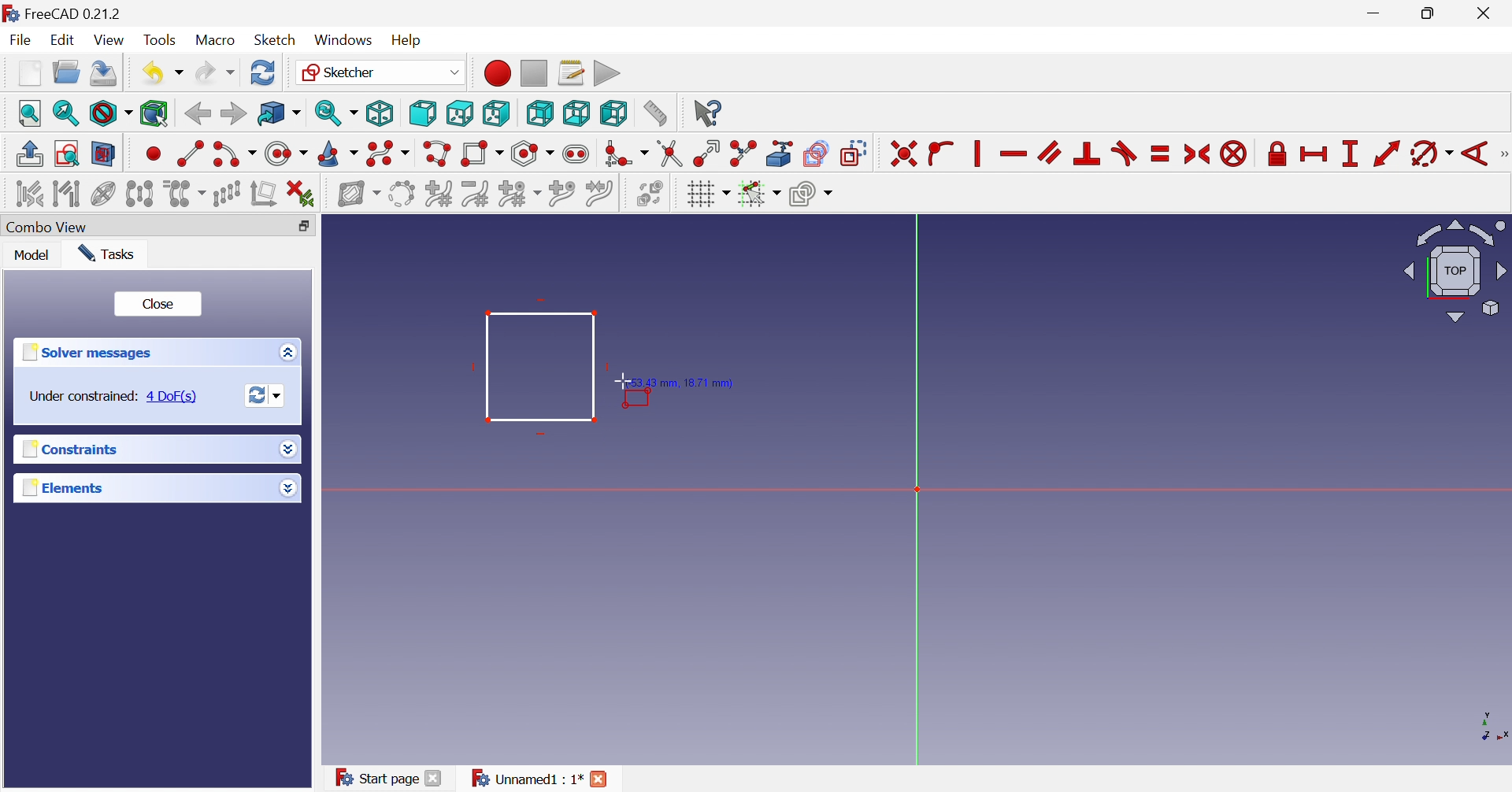 This screenshot has height=792, width=1512. Describe the element at coordinates (31, 113) in the screenshot. I see `Fit all` at that location.